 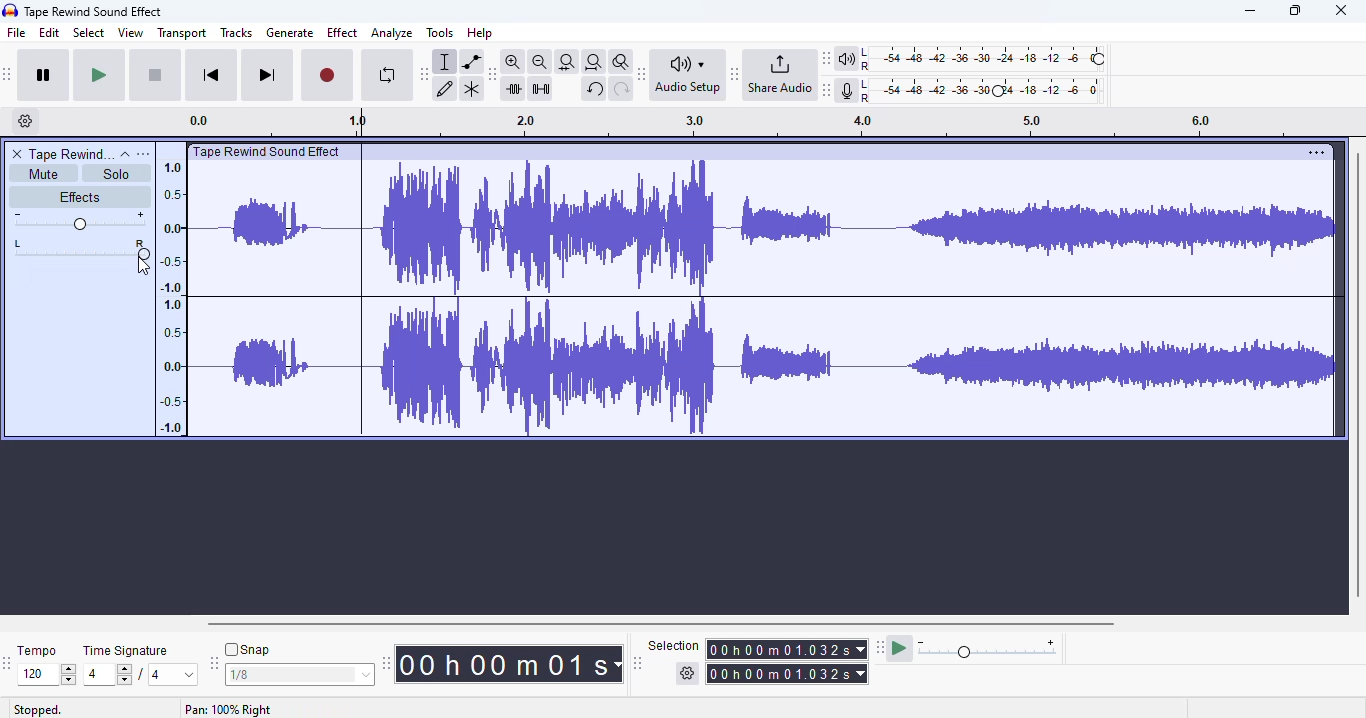 I want to click on audacity time , so click(x=508, y=665).